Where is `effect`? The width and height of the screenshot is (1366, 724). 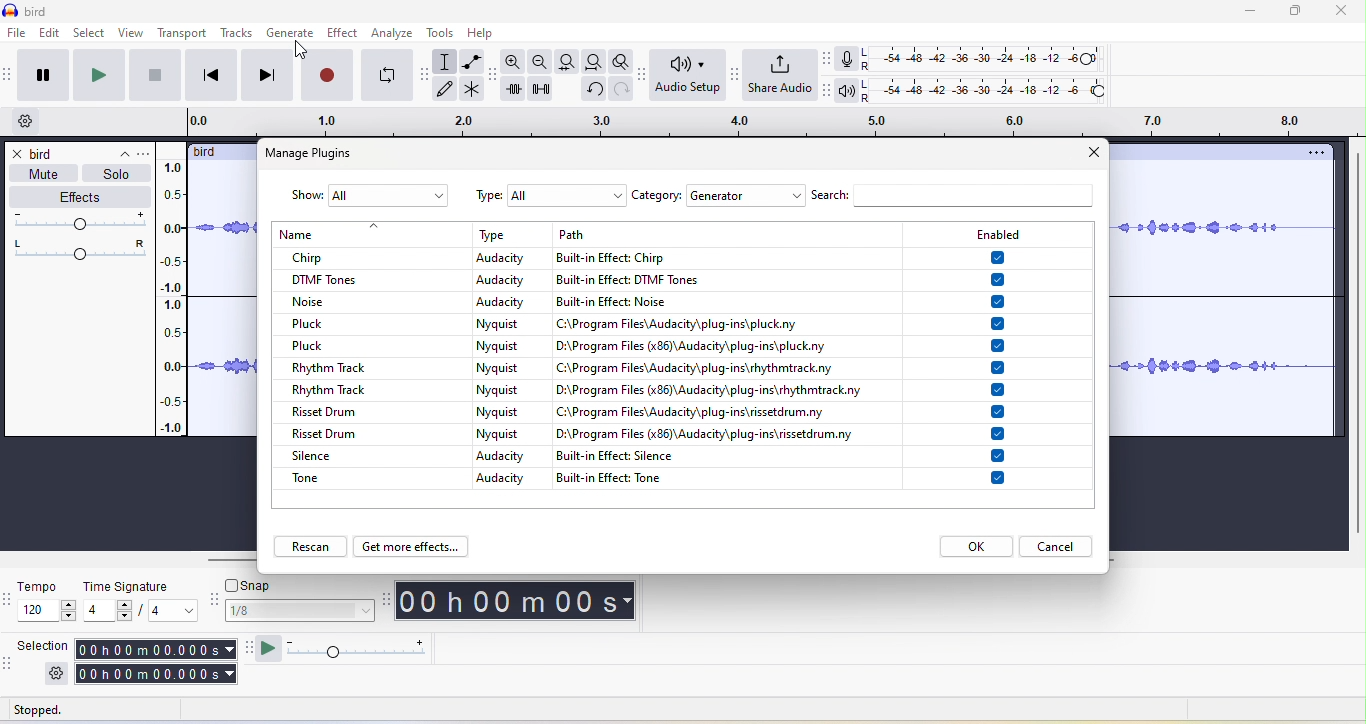
effect is located at coordinates (77, 197).